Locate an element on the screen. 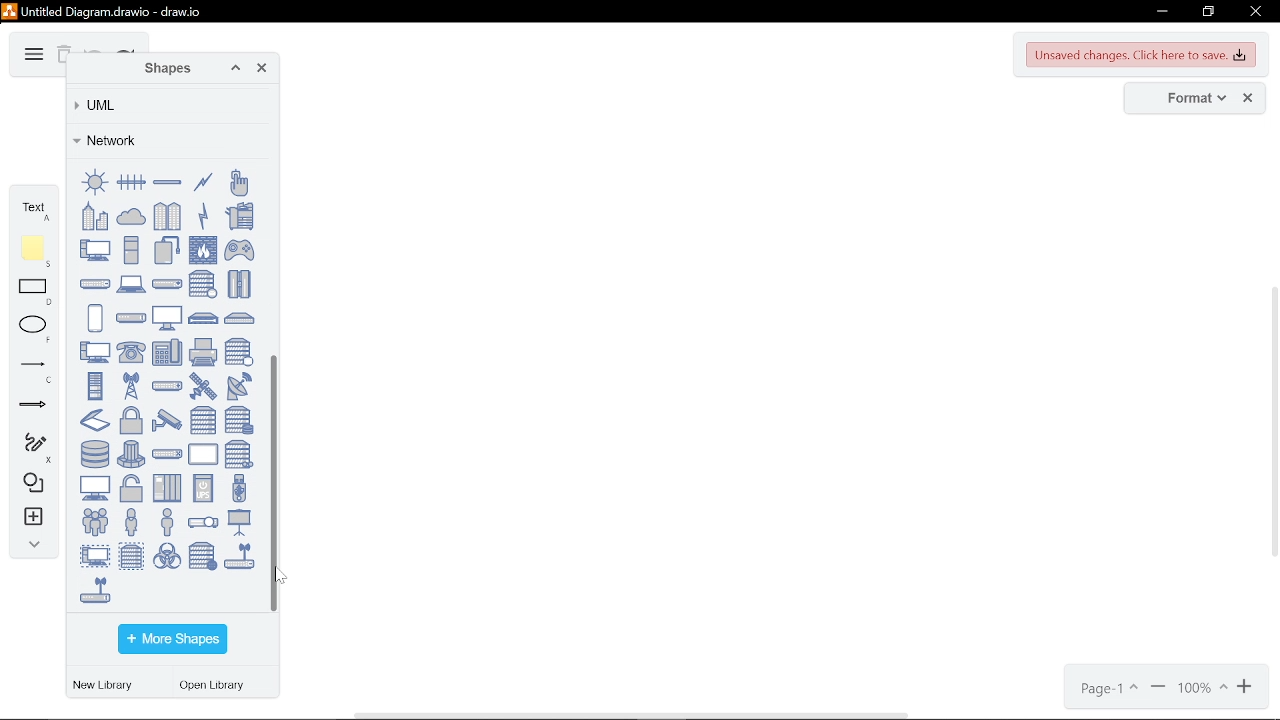 This screenshot has width=1280, height=720. monitor is located at coordinates (167, 317).